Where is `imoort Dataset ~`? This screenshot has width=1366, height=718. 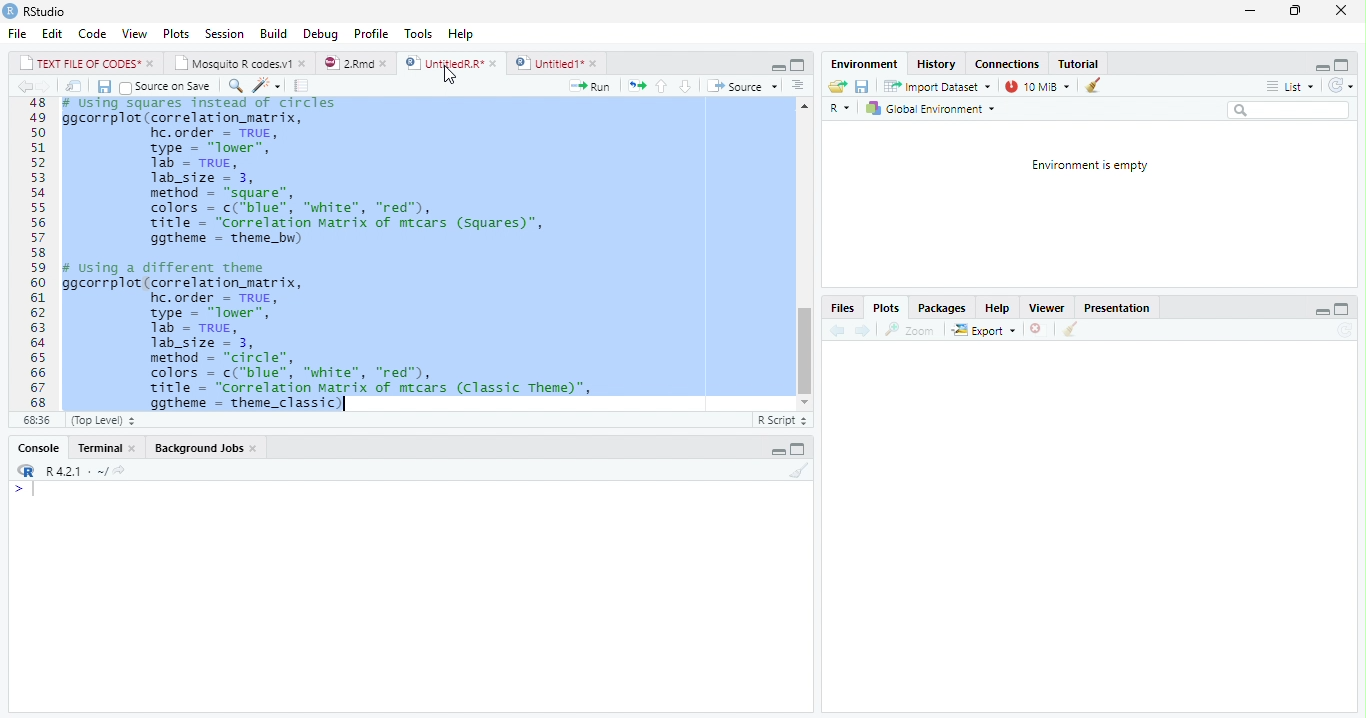
imoort Dataset ~ is located at coordinates (941, 87).